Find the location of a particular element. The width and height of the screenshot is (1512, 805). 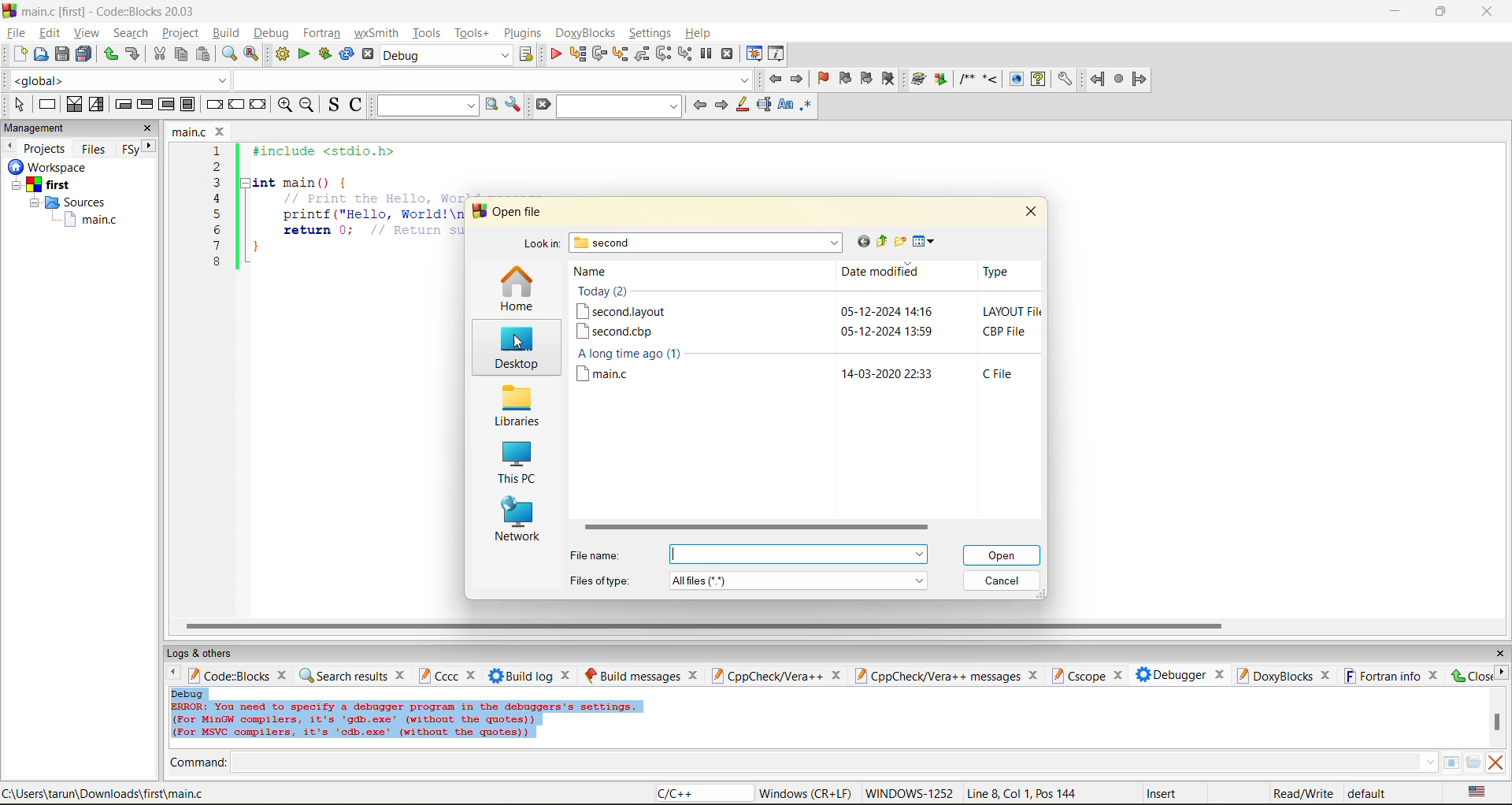

toggle bookmark is located at coordinates (825, 79).